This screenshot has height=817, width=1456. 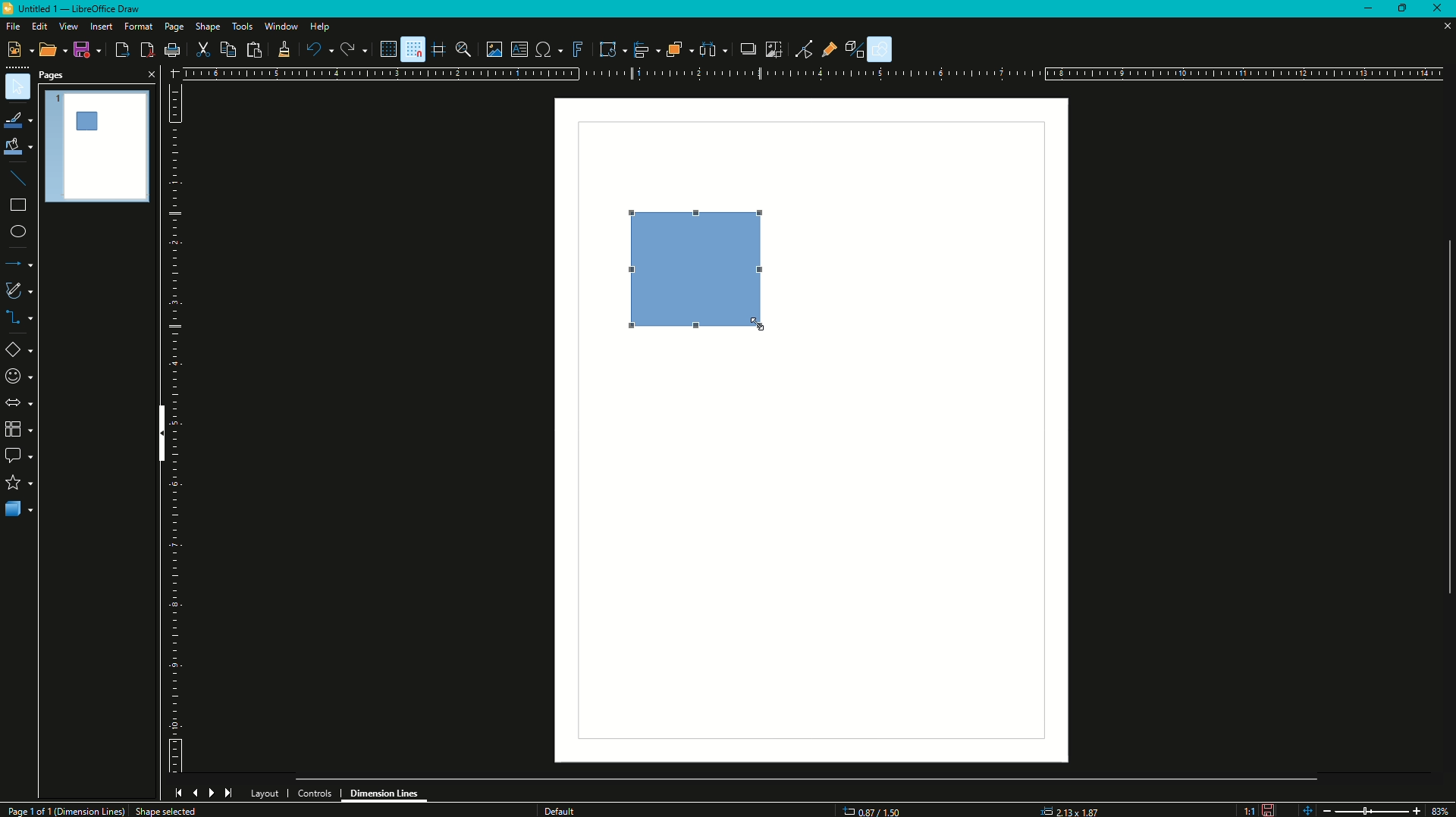 What do you see at coordinates (576, 49) in the screenshot?
I see `Insert Fontwork Text` at bounding box center [576, 49].